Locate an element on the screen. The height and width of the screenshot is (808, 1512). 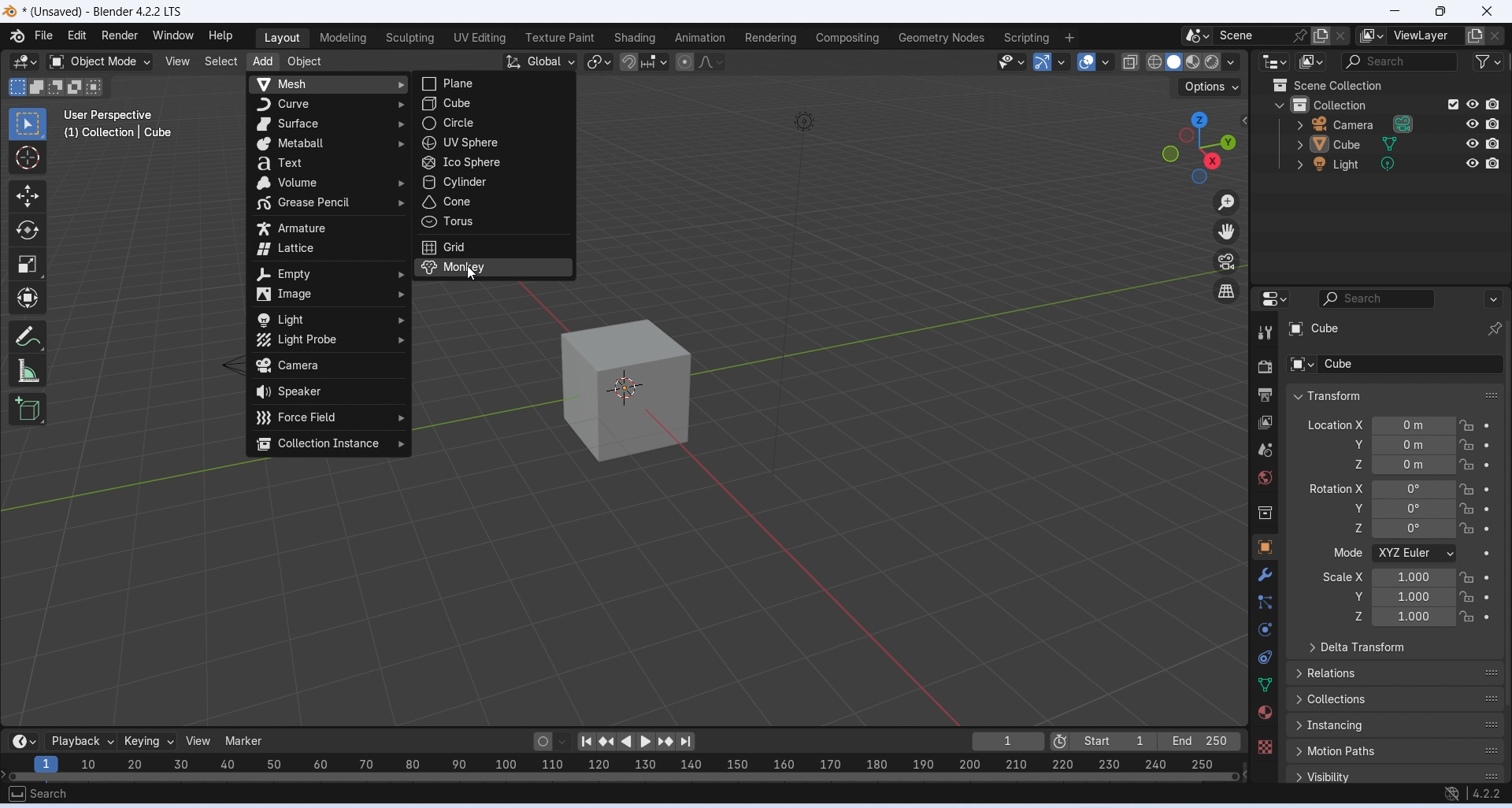
force field is located at coordinates (331, 416).